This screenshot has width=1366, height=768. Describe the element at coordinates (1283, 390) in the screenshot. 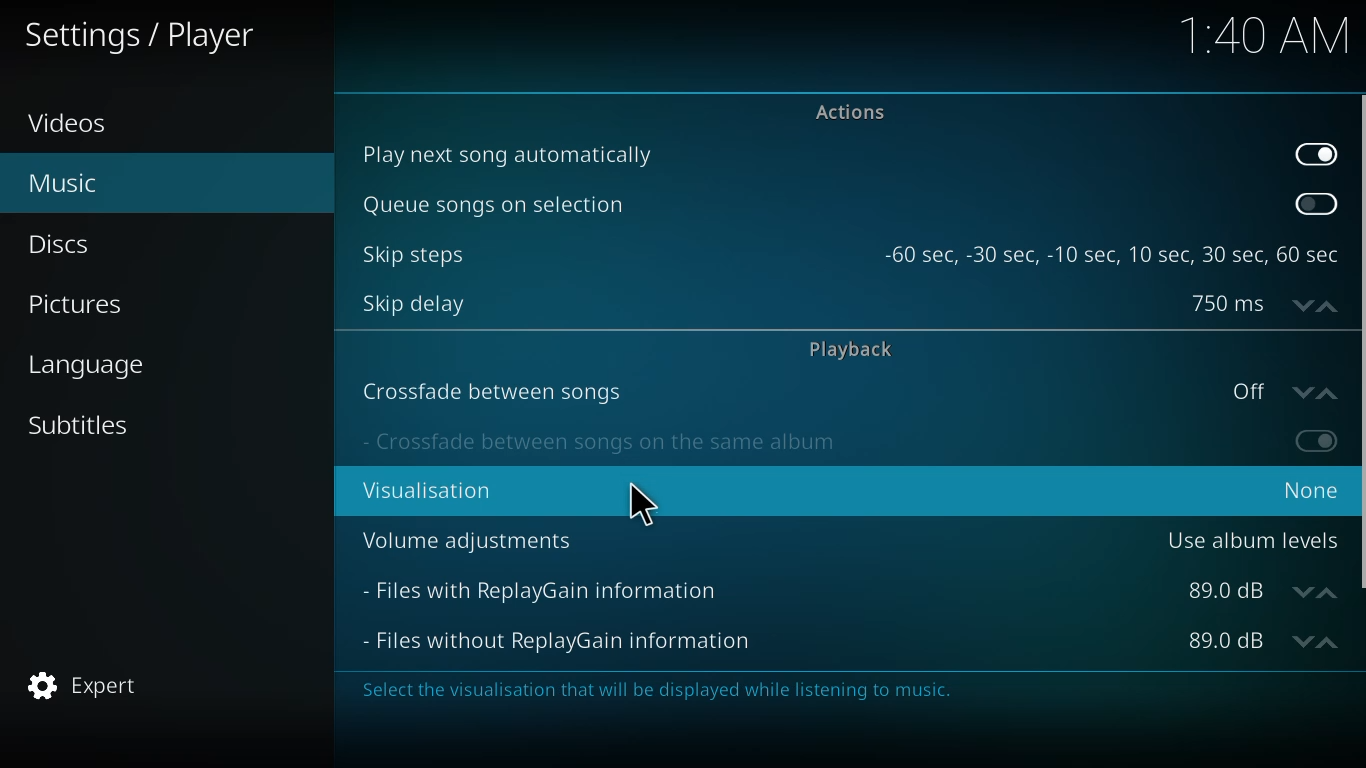

I see `off` at that location.